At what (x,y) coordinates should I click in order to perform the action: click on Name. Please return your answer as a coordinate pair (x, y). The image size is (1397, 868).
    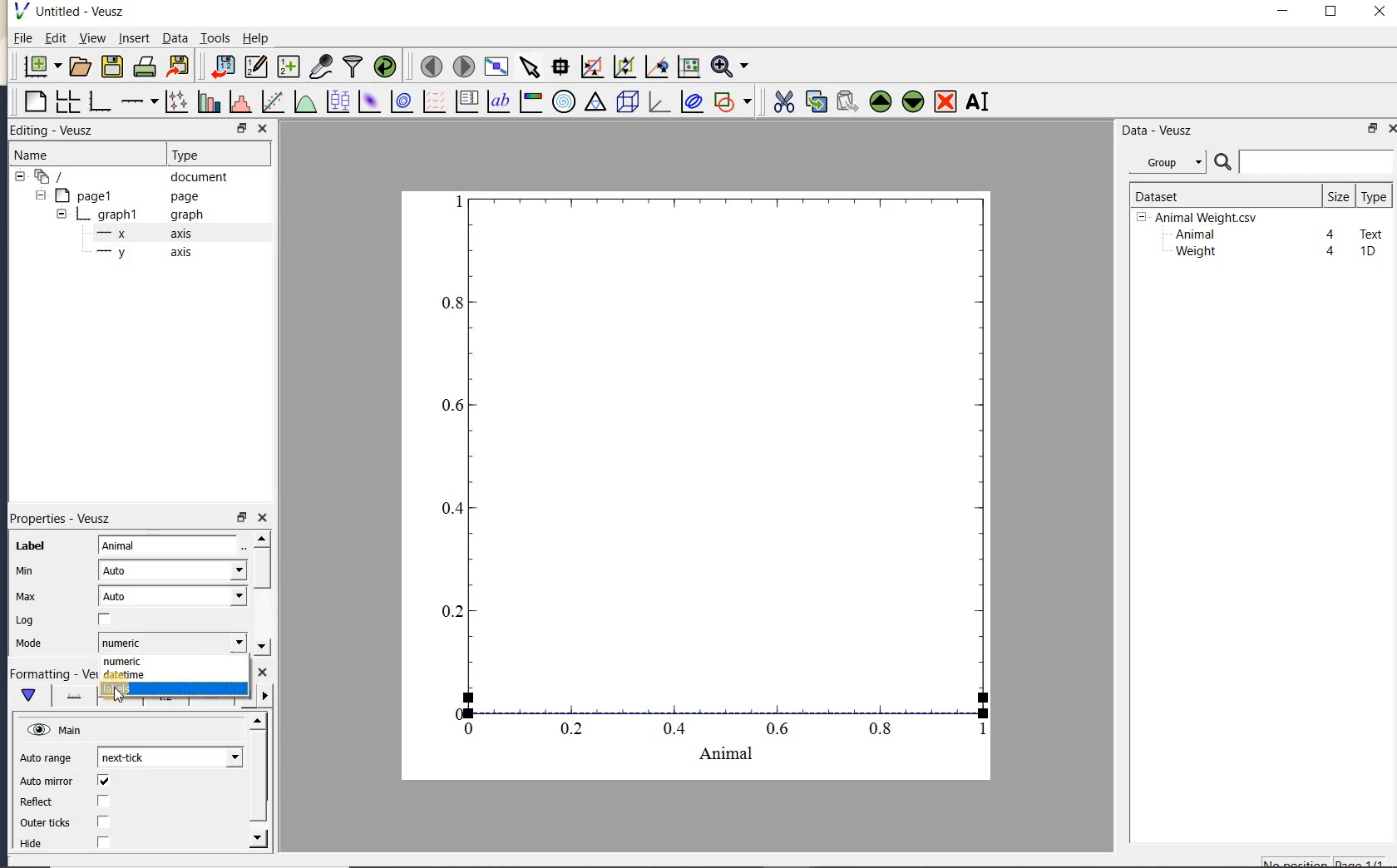
    Looking at the image, I should click on (49, 155).